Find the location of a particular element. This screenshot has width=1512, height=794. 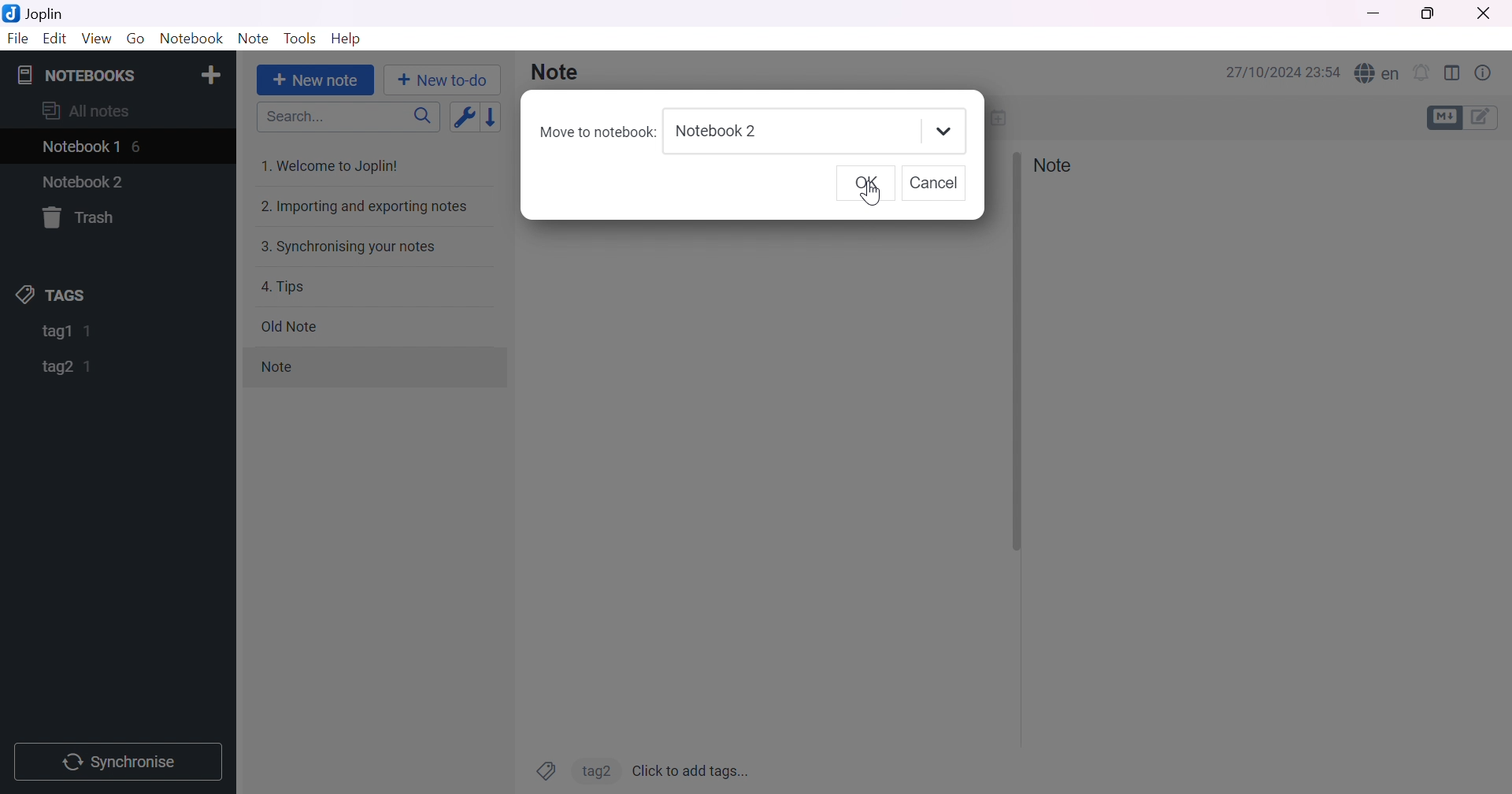

Help is located at coordinates (346, 40).